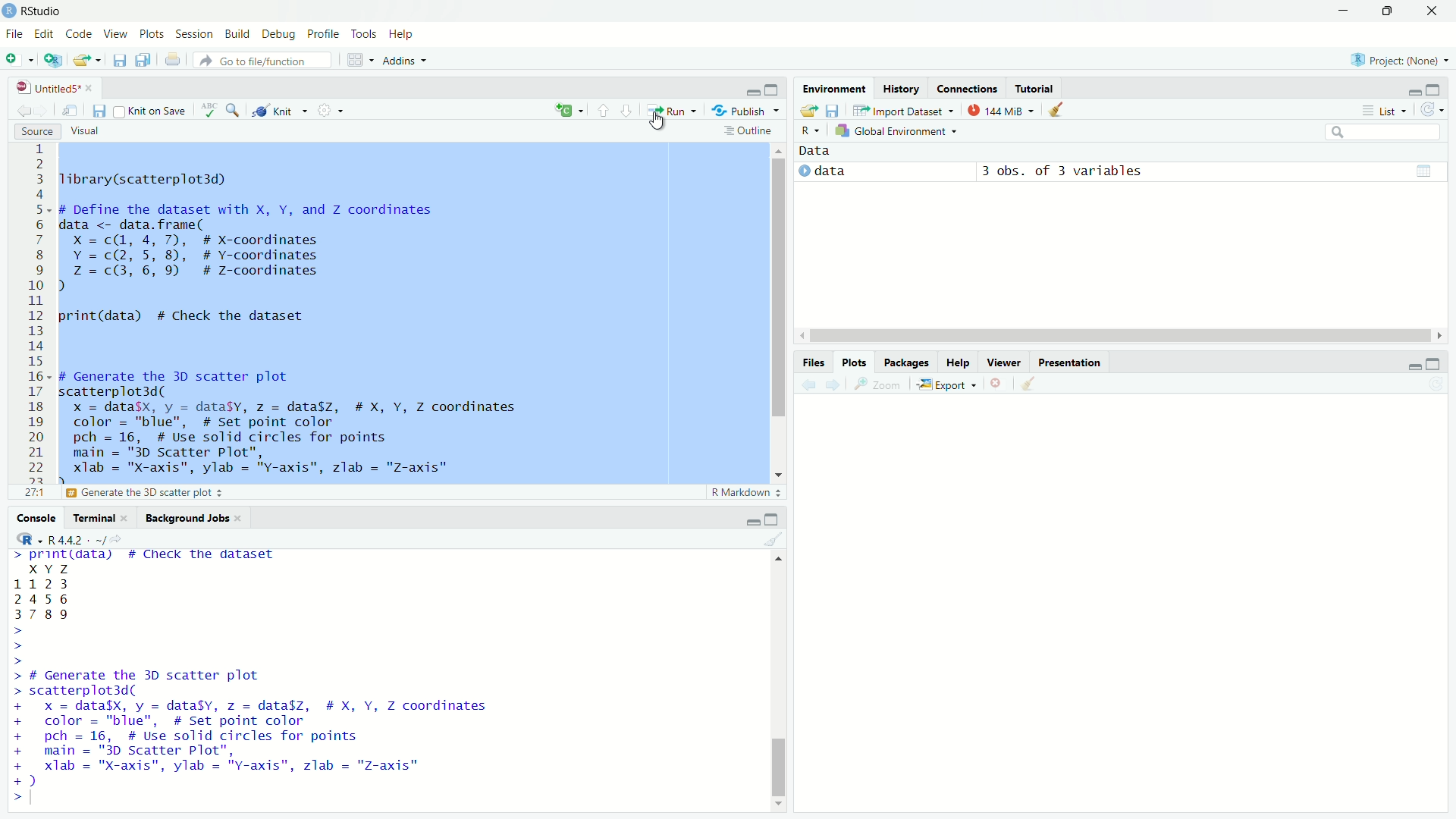  What do you see at coordinates (664, 124) in the screenshot?
I see `cursor` at bounding box center [664, 124].